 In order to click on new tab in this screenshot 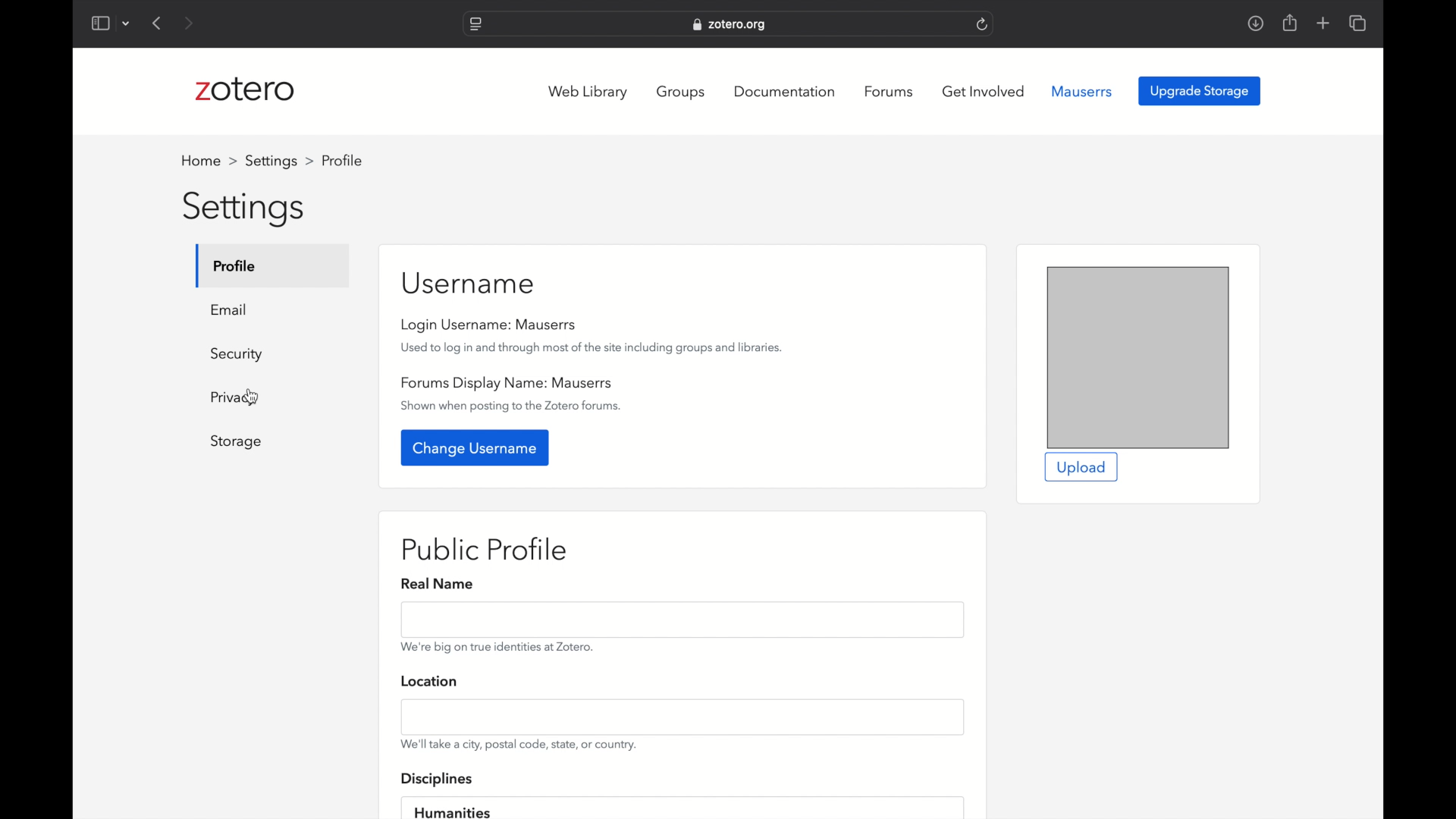, I will do `click(1323, 23)`.